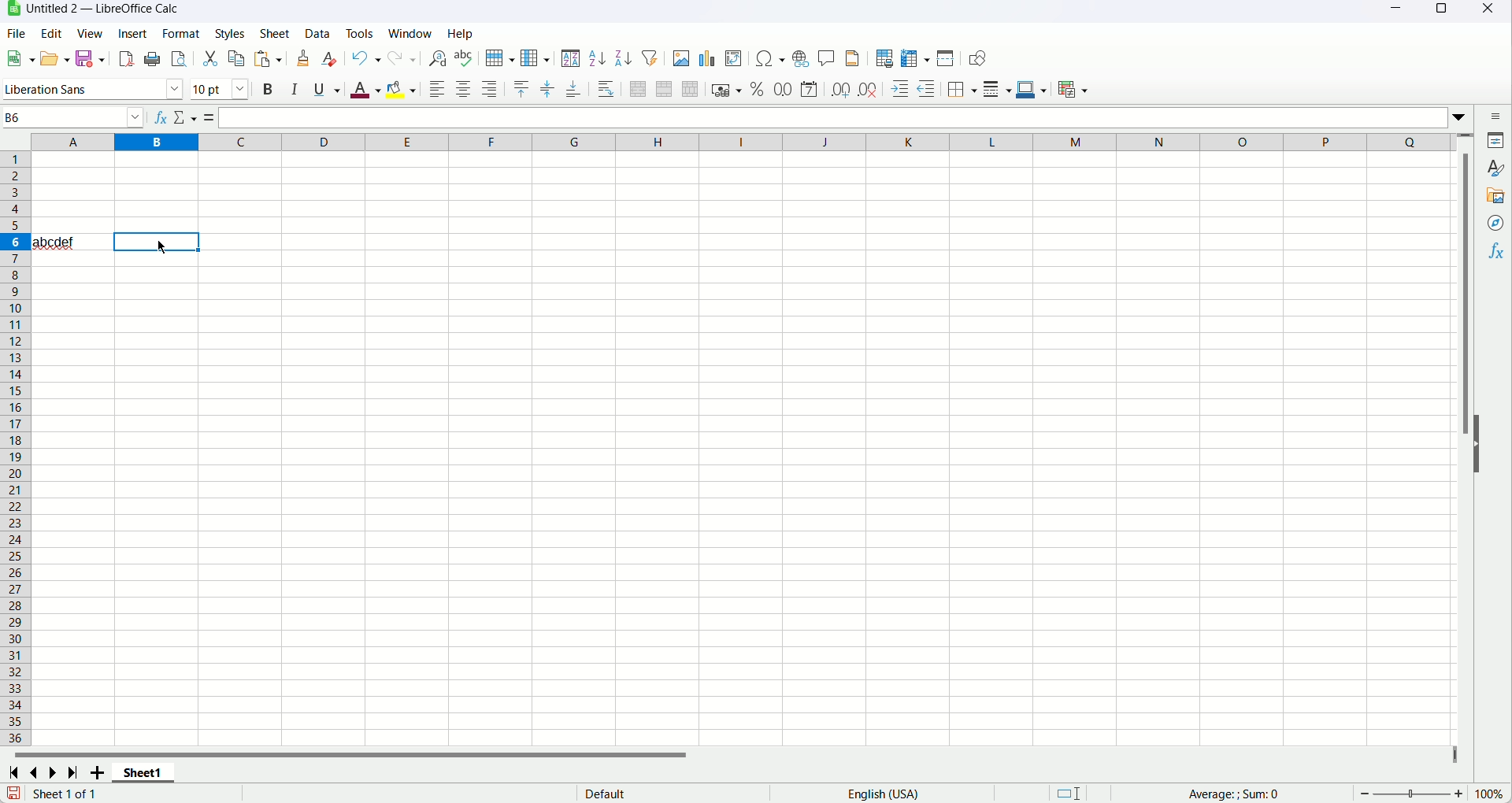  I want to click on cursor, so click(161, 246).